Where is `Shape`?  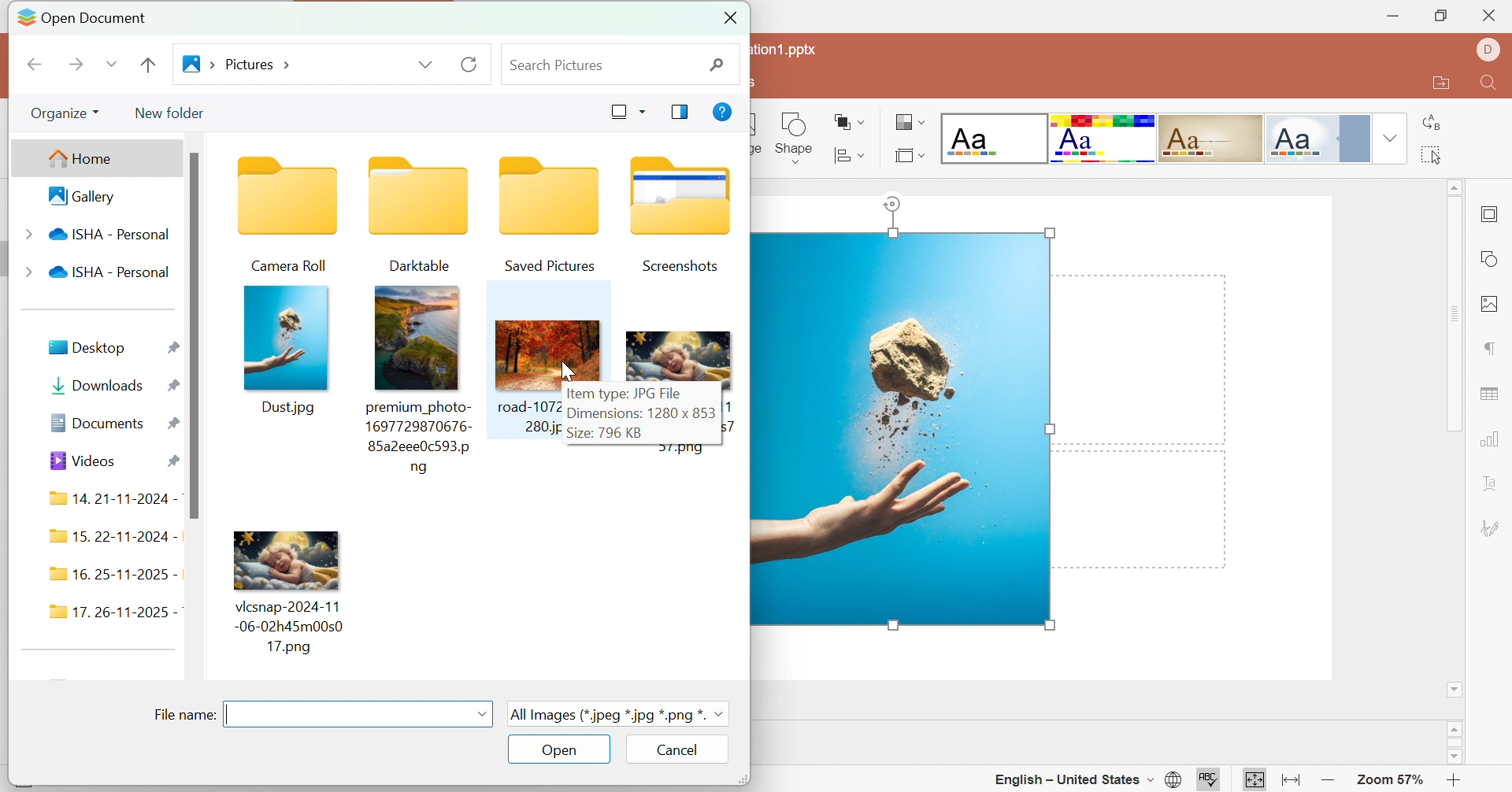 Shape is located at coordinates (797, 139).